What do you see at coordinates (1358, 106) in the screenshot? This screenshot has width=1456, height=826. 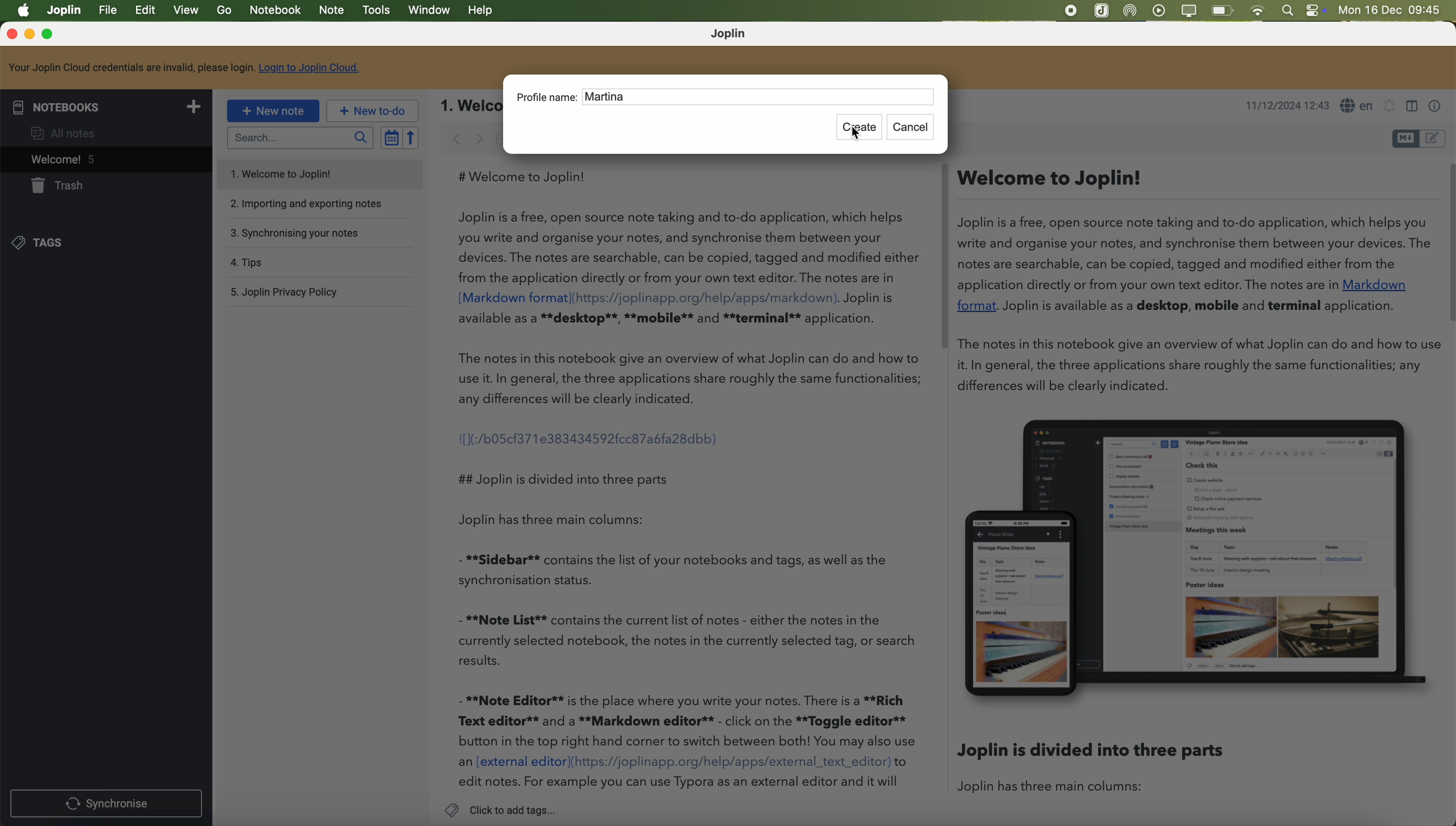 I see `language` at bounding box center [1358, 106].